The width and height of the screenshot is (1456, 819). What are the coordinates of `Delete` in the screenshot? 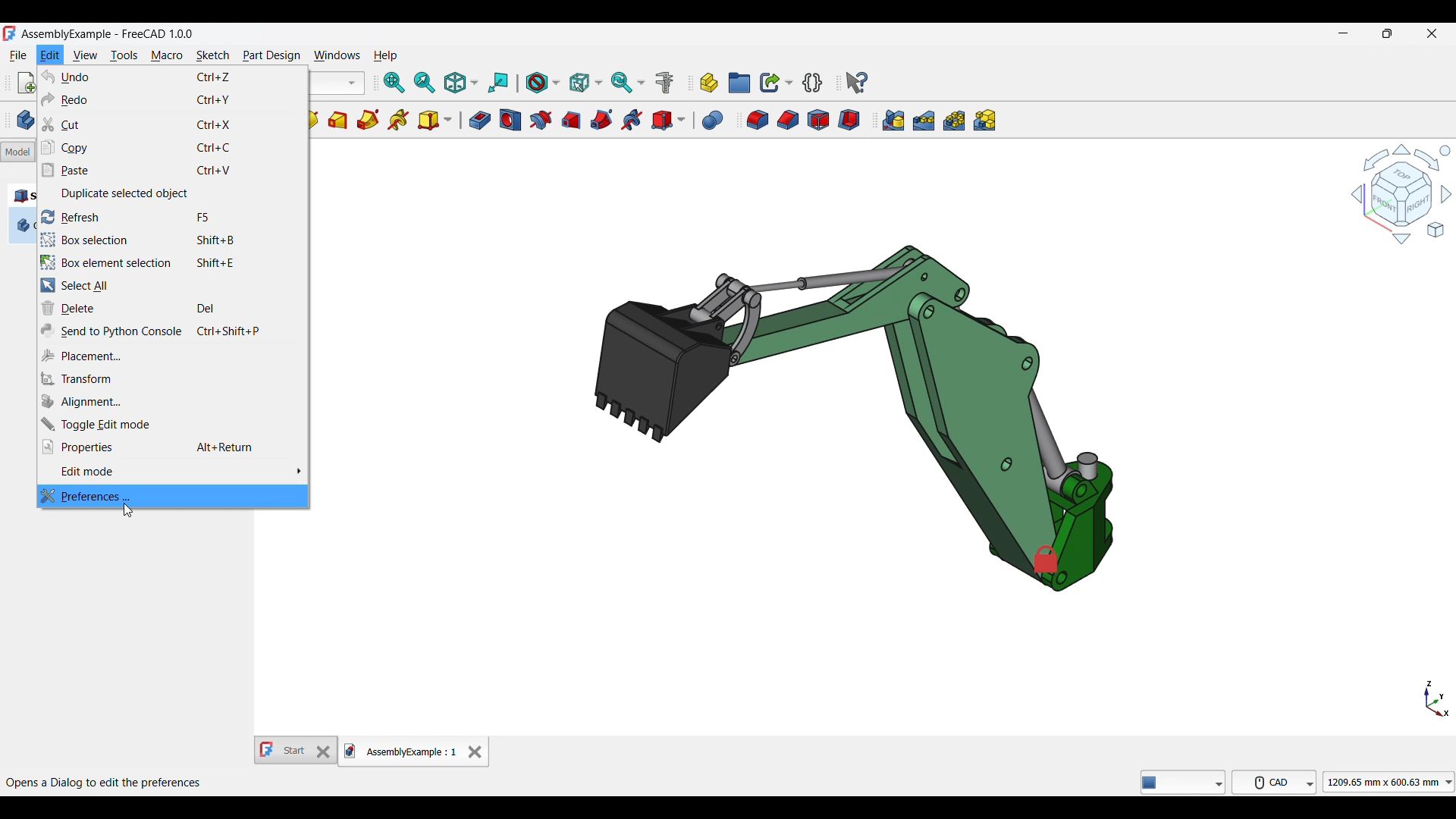 It's located at (173, 309).